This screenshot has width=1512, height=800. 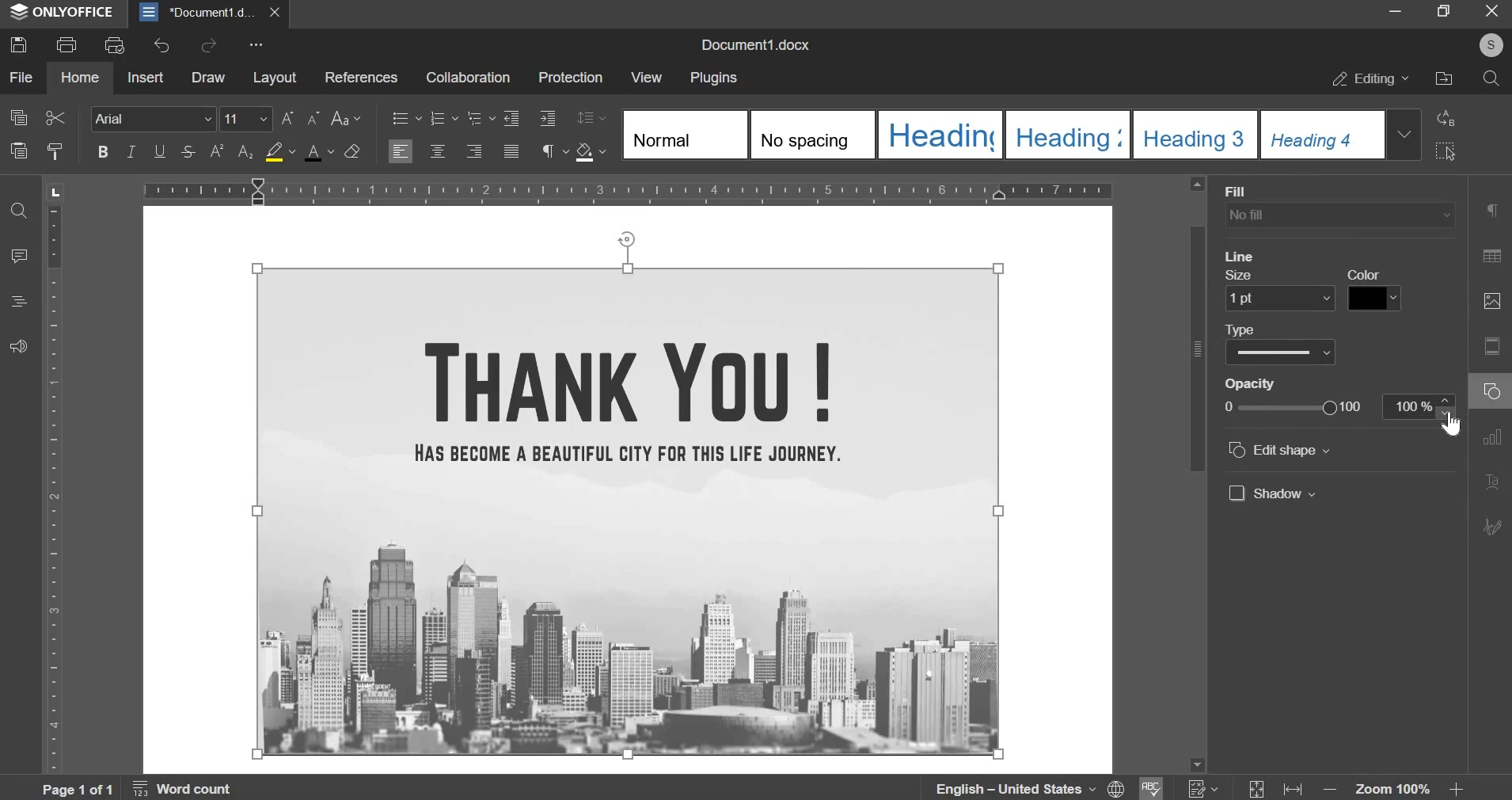 I want to click on justified, so click(x=511, y=150).